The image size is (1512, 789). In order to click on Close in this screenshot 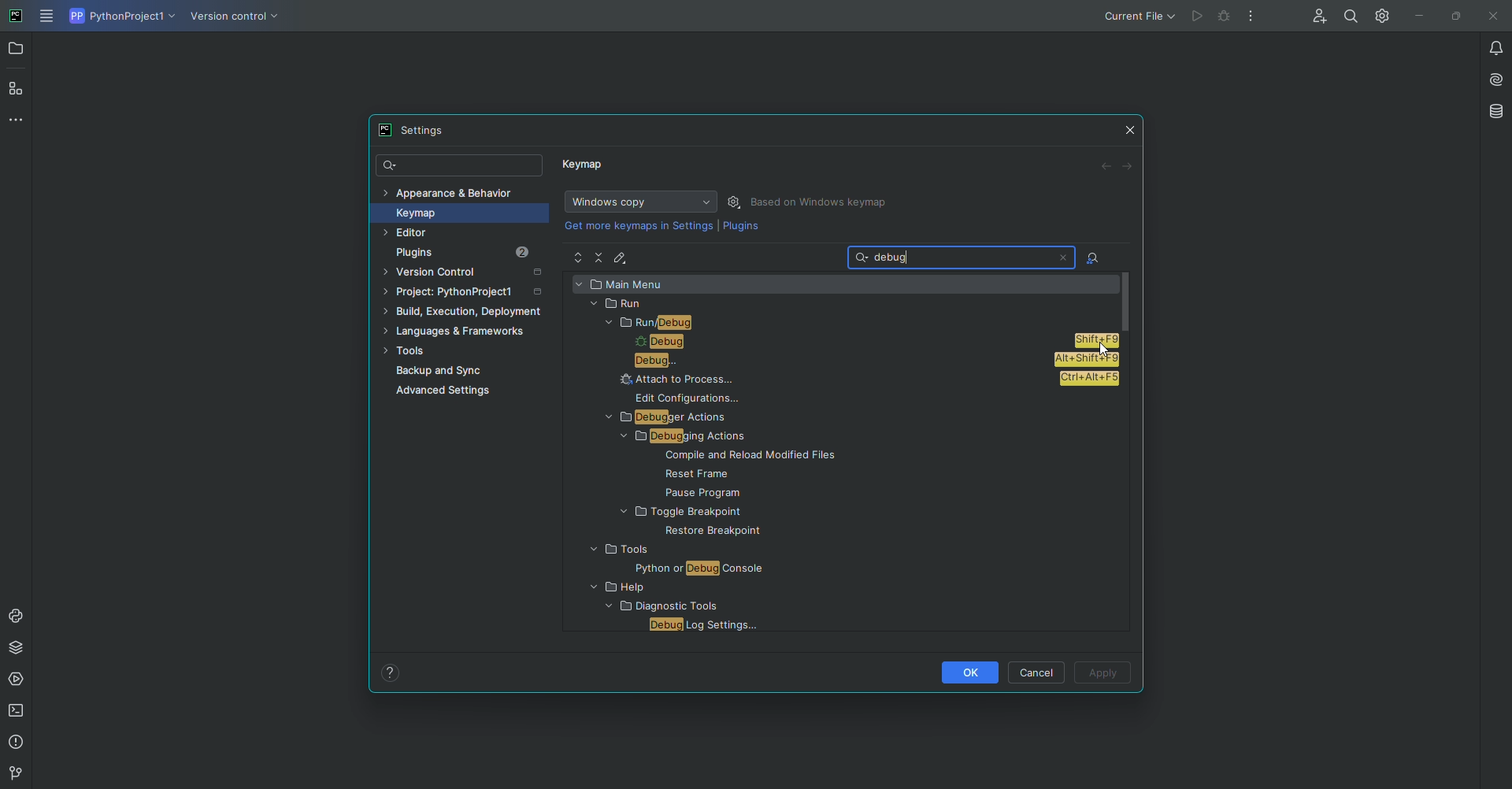, I will do `click(1491, 17)`.